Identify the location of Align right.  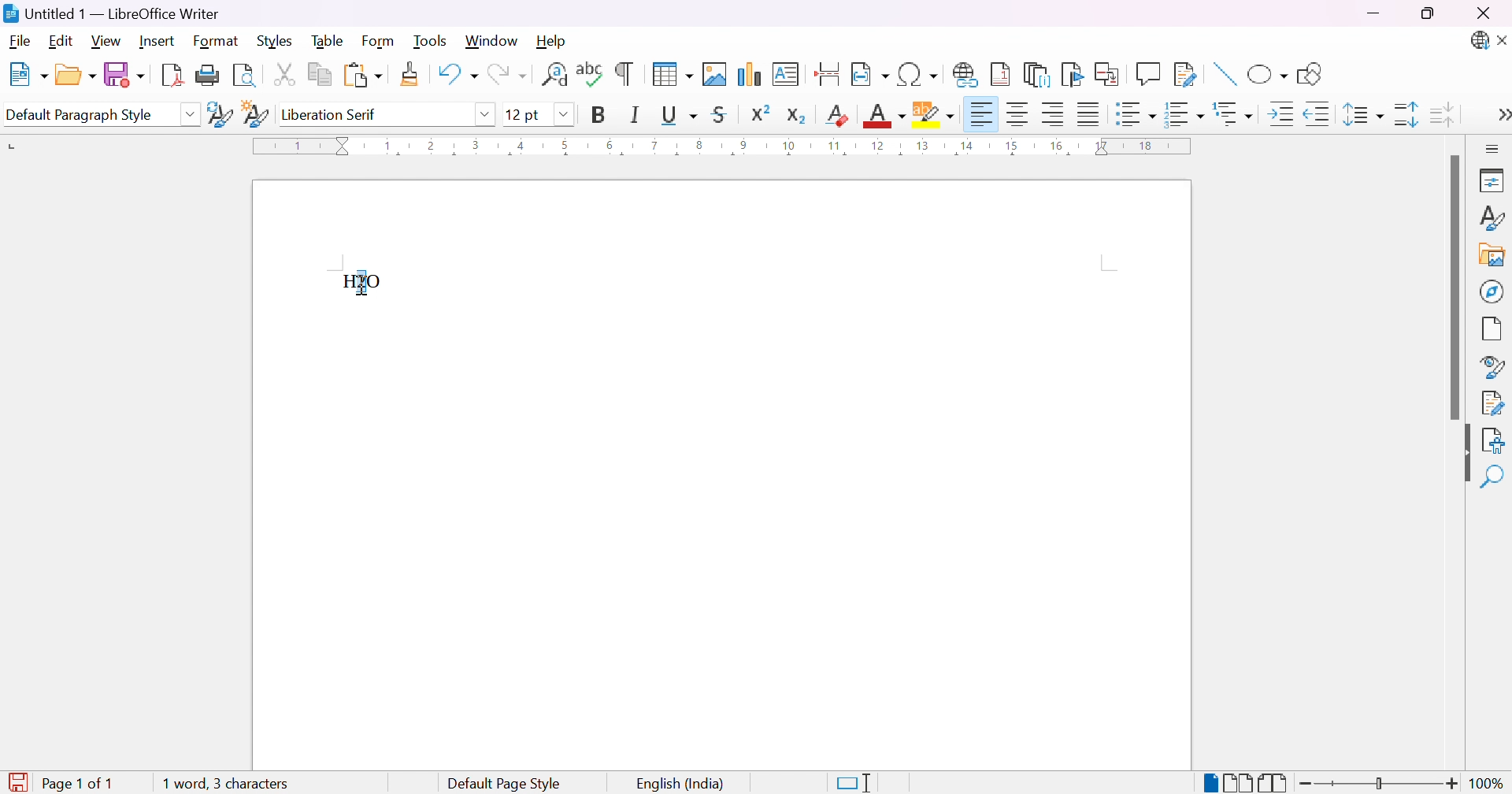
(1054, 115).